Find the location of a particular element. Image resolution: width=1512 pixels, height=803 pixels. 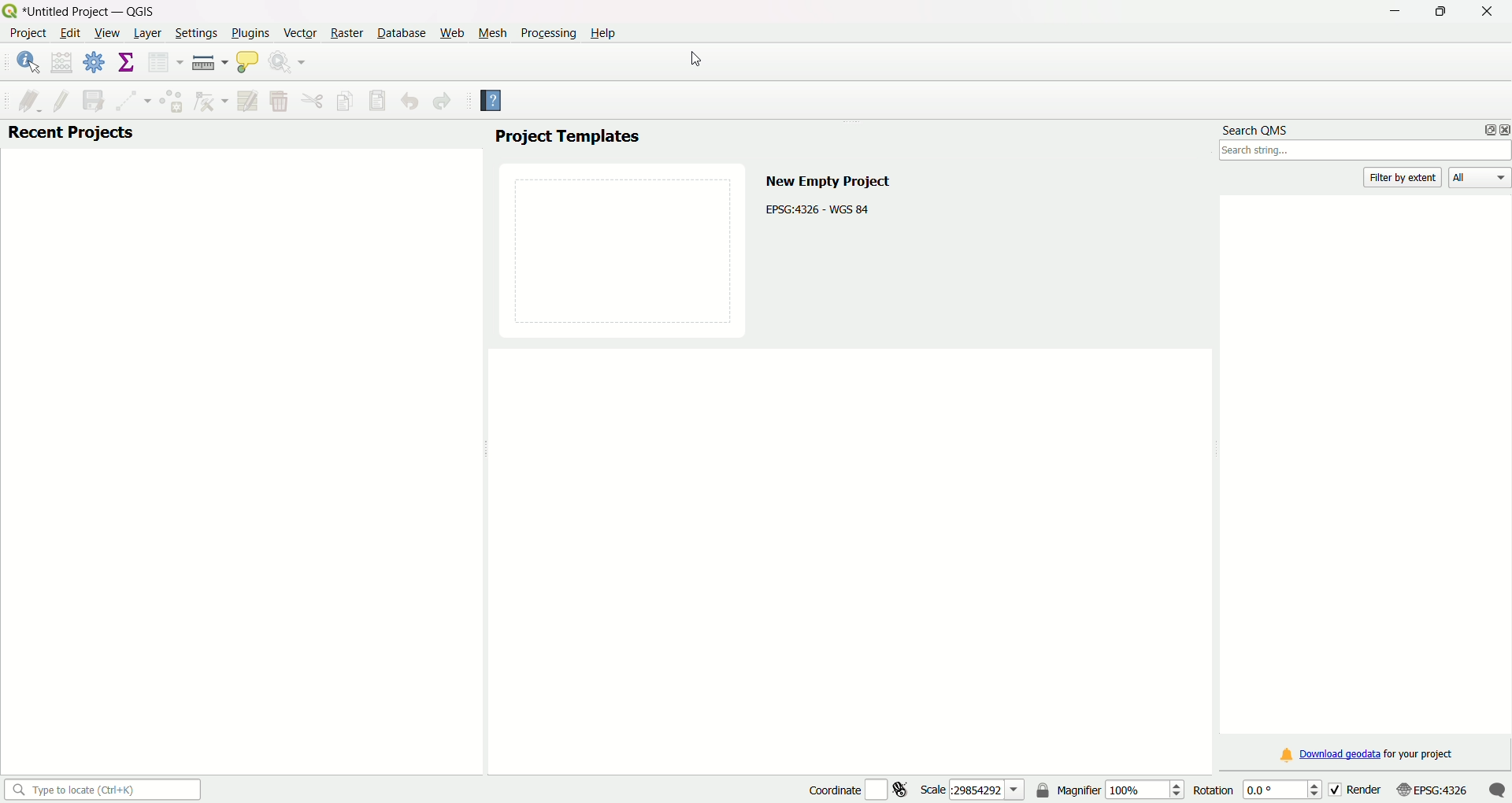

save layer edit is located at coordinates (91, 99).